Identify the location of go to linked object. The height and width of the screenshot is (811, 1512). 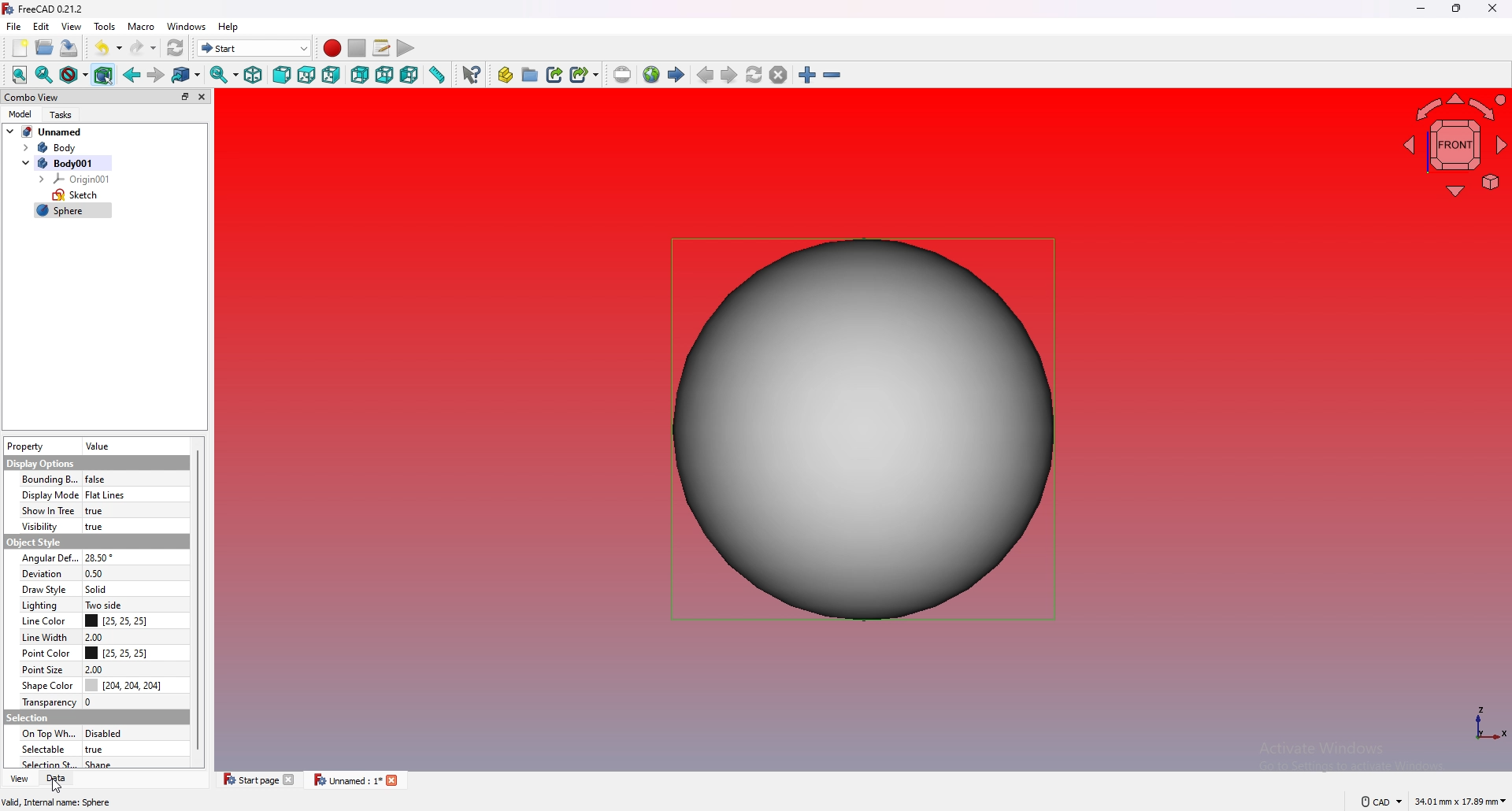
(187, 76).